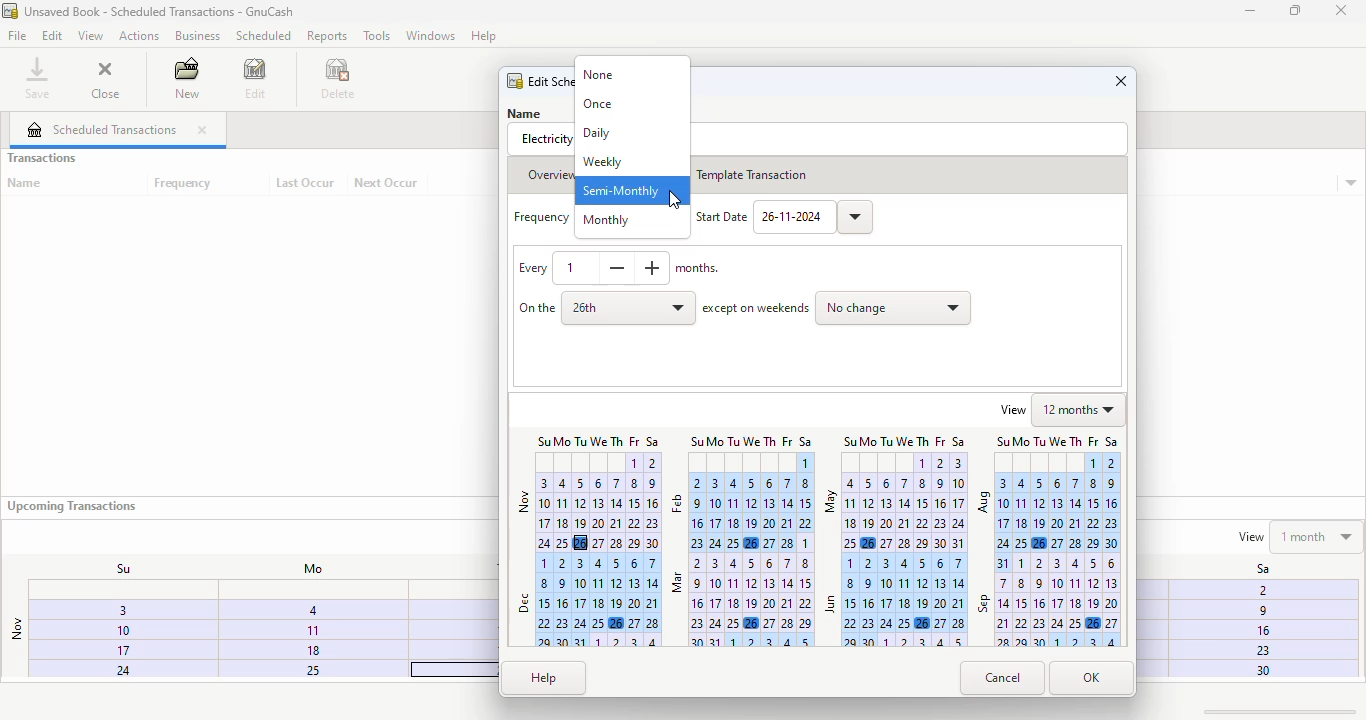 This screenshot has height=720, width=1366. Describe the element at coordinates (544, 678) in the screenshot. I see `help` at that location.